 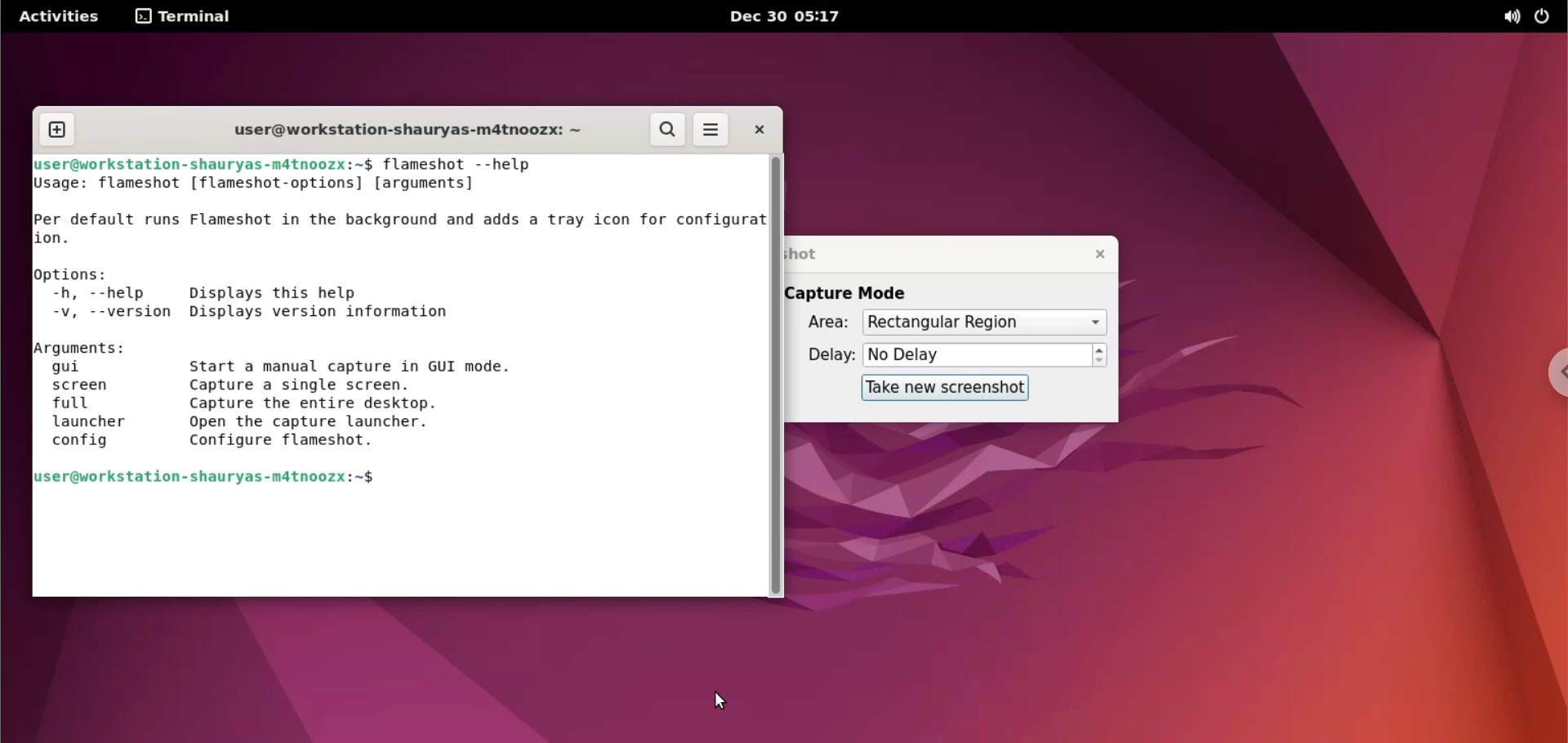 What do you see at coordinates (61, 185) in the screenshot?
I see `usage:` at bounding box center [61, 185].